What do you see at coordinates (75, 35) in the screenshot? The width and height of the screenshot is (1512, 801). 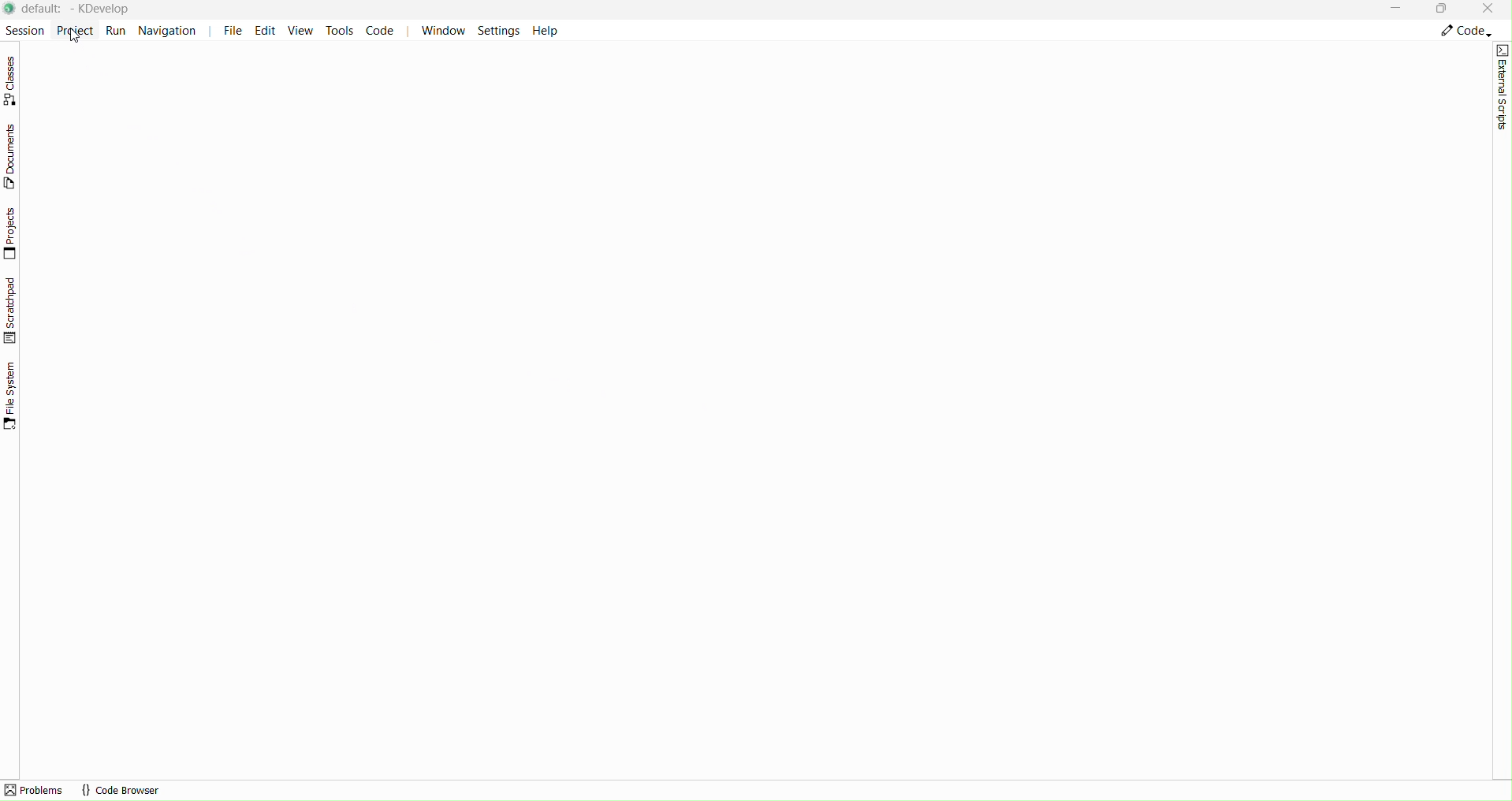 I see `cursor` at bounding box center [75, 35].